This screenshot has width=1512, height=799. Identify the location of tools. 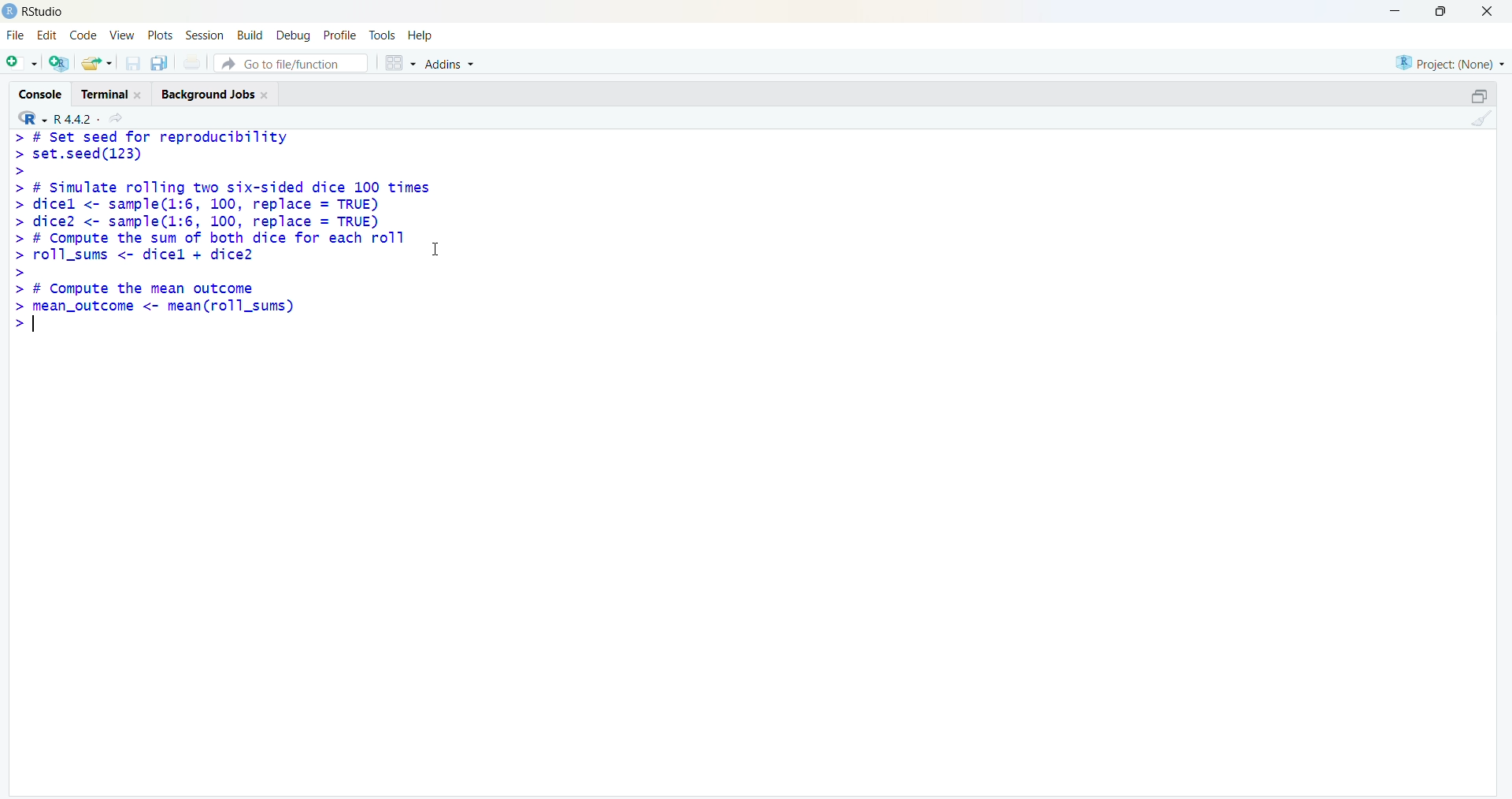
(383, 36).